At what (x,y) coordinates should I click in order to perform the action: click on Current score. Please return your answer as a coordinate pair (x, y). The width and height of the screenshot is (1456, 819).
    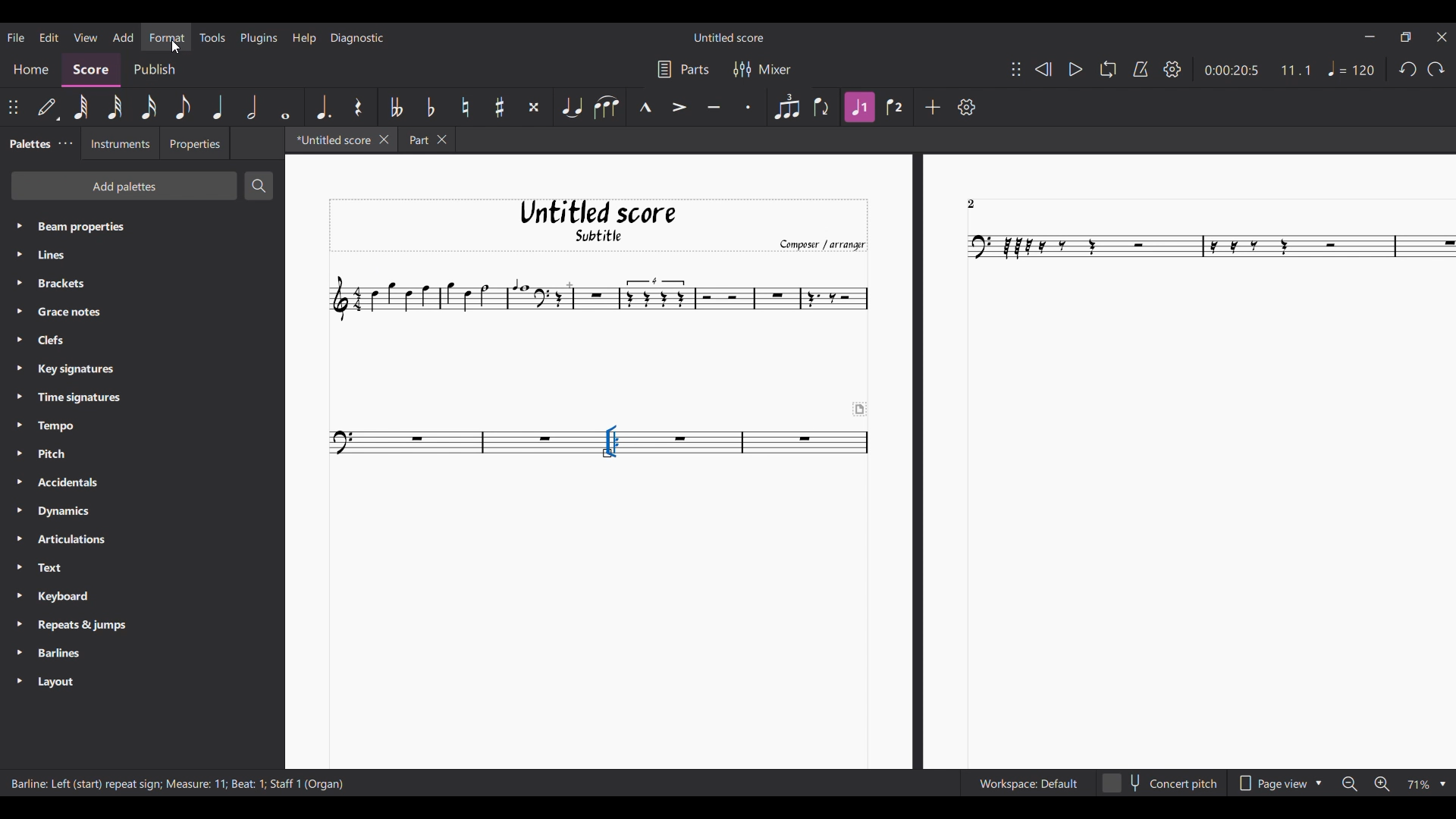
    Looking at the image, I should click on (871, 460).